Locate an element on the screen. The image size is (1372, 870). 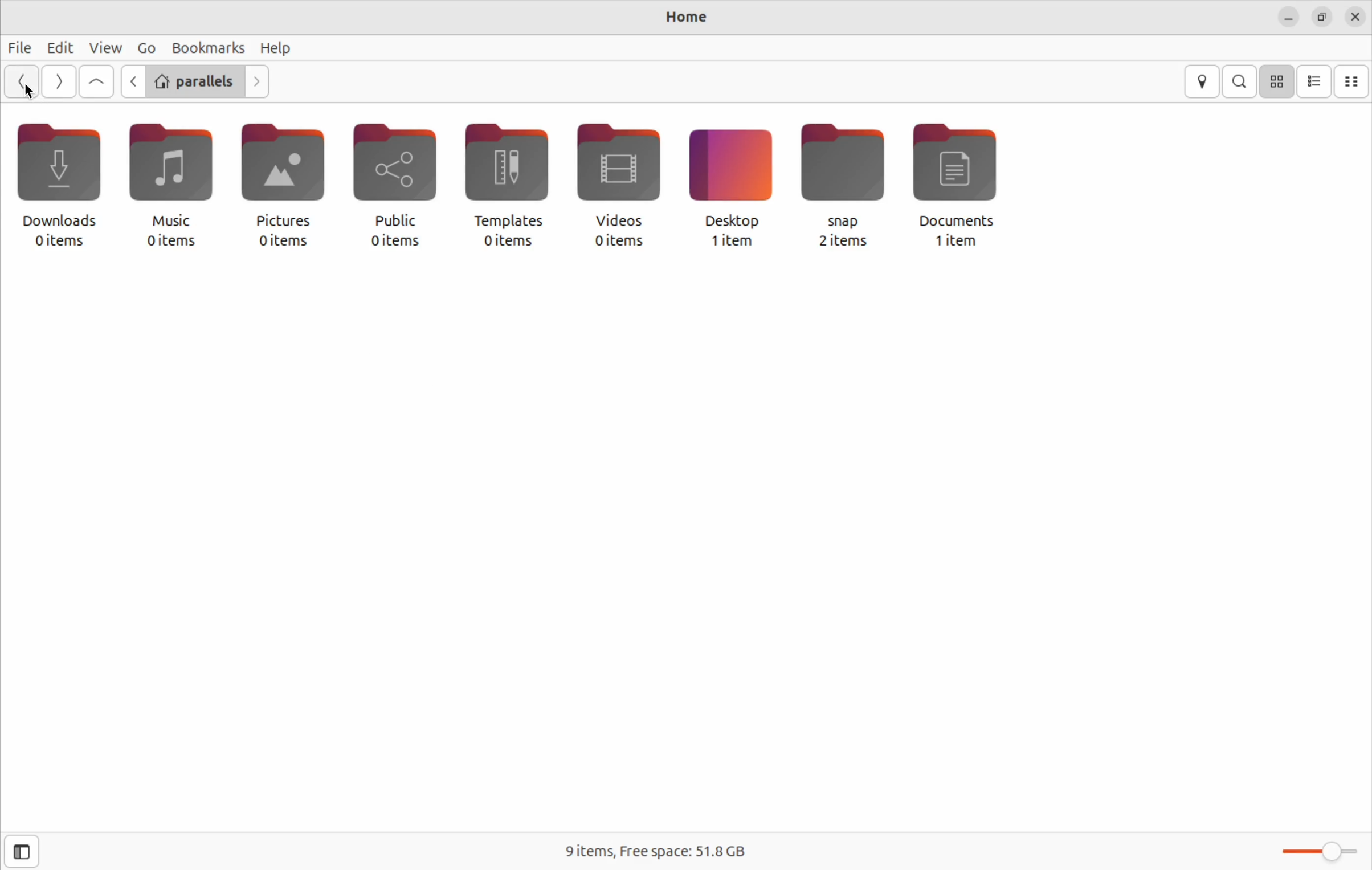
snap 2 items is located at coordinates (840, 193).